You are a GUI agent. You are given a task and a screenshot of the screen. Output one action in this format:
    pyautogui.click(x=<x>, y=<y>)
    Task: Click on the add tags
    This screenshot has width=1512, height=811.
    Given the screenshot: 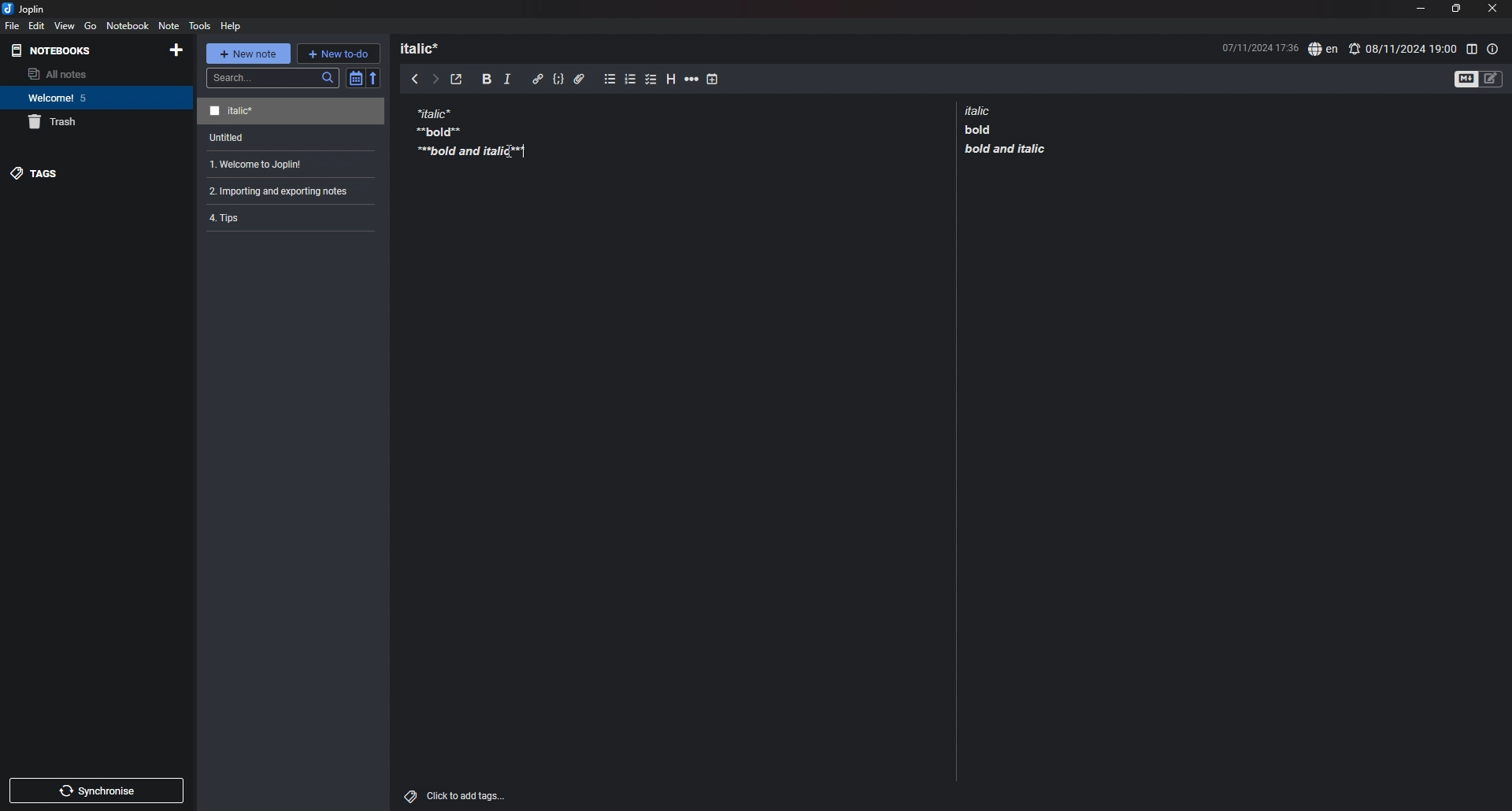 What is the action you would take?
    pyautogui.click(x=457, y=796)
    